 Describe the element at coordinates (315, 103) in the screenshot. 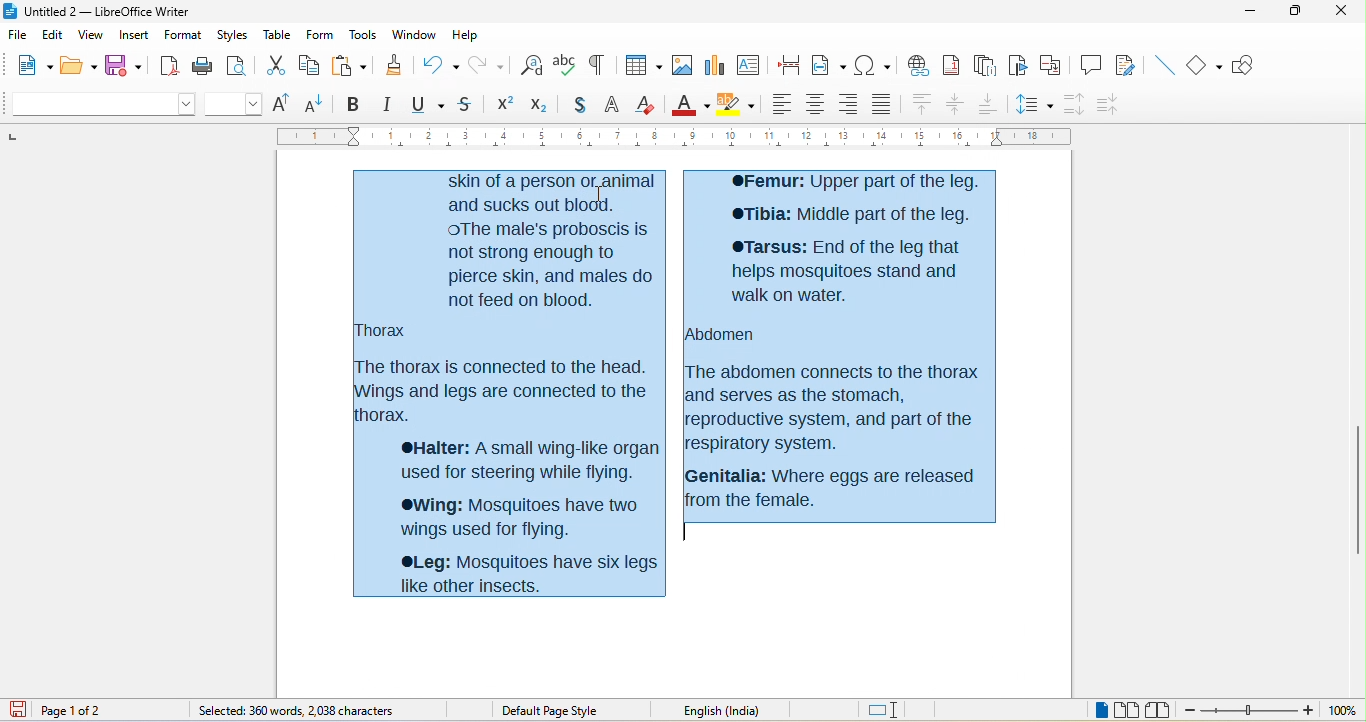

I see `decrease size` at that location.